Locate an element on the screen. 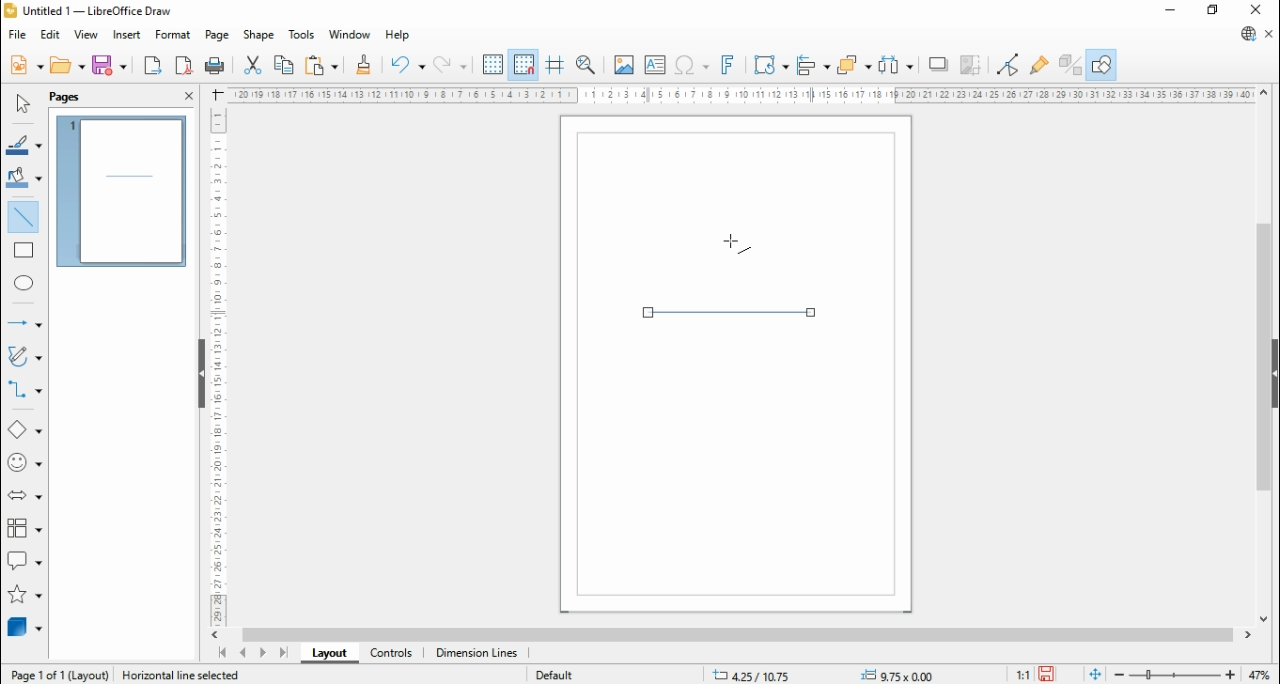 The image size is (1280, 684). basic shapes is located at coordinates (24, 430).